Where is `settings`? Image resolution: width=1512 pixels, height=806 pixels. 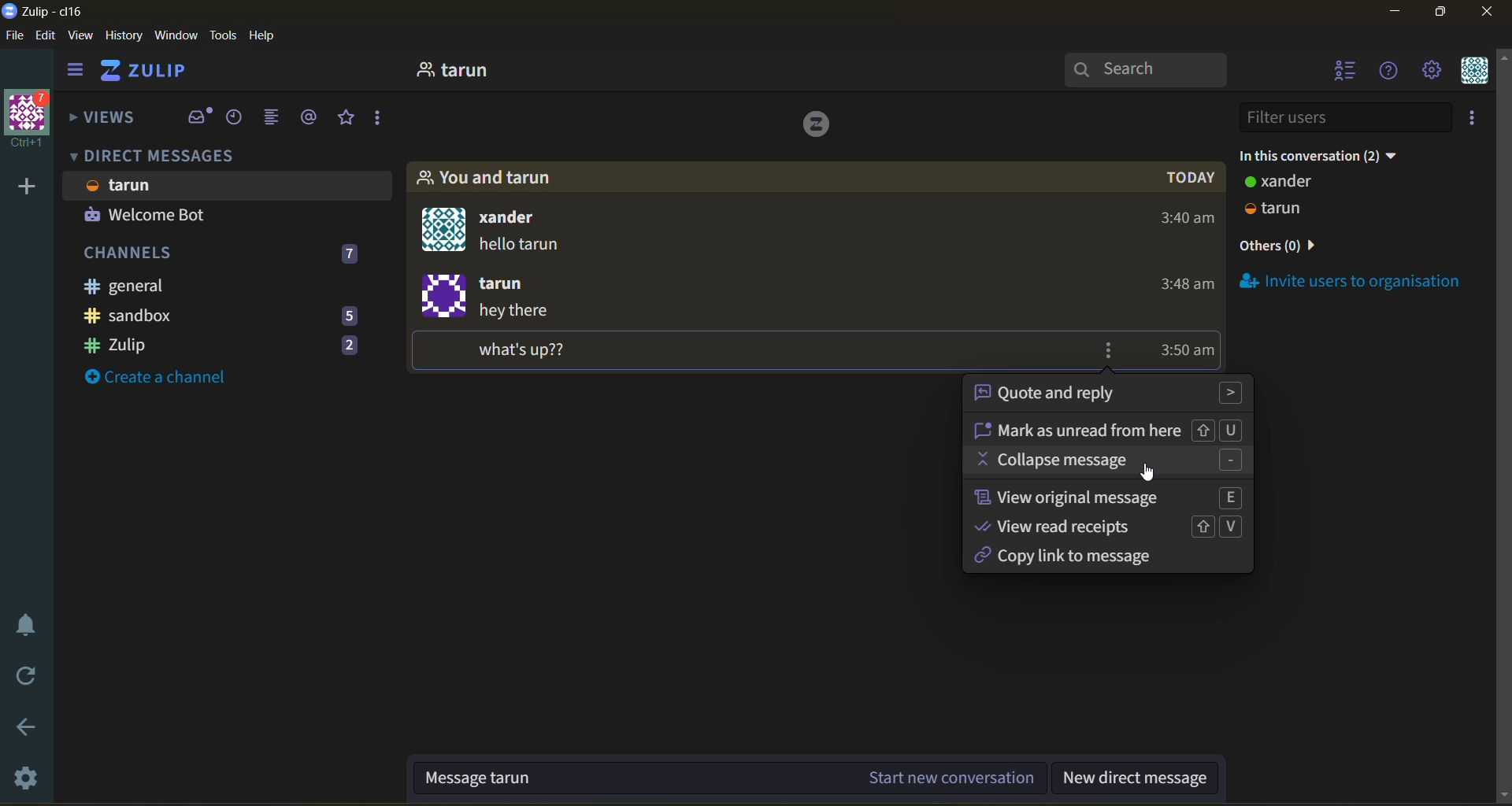 settings is located at coordinates (22, 778).